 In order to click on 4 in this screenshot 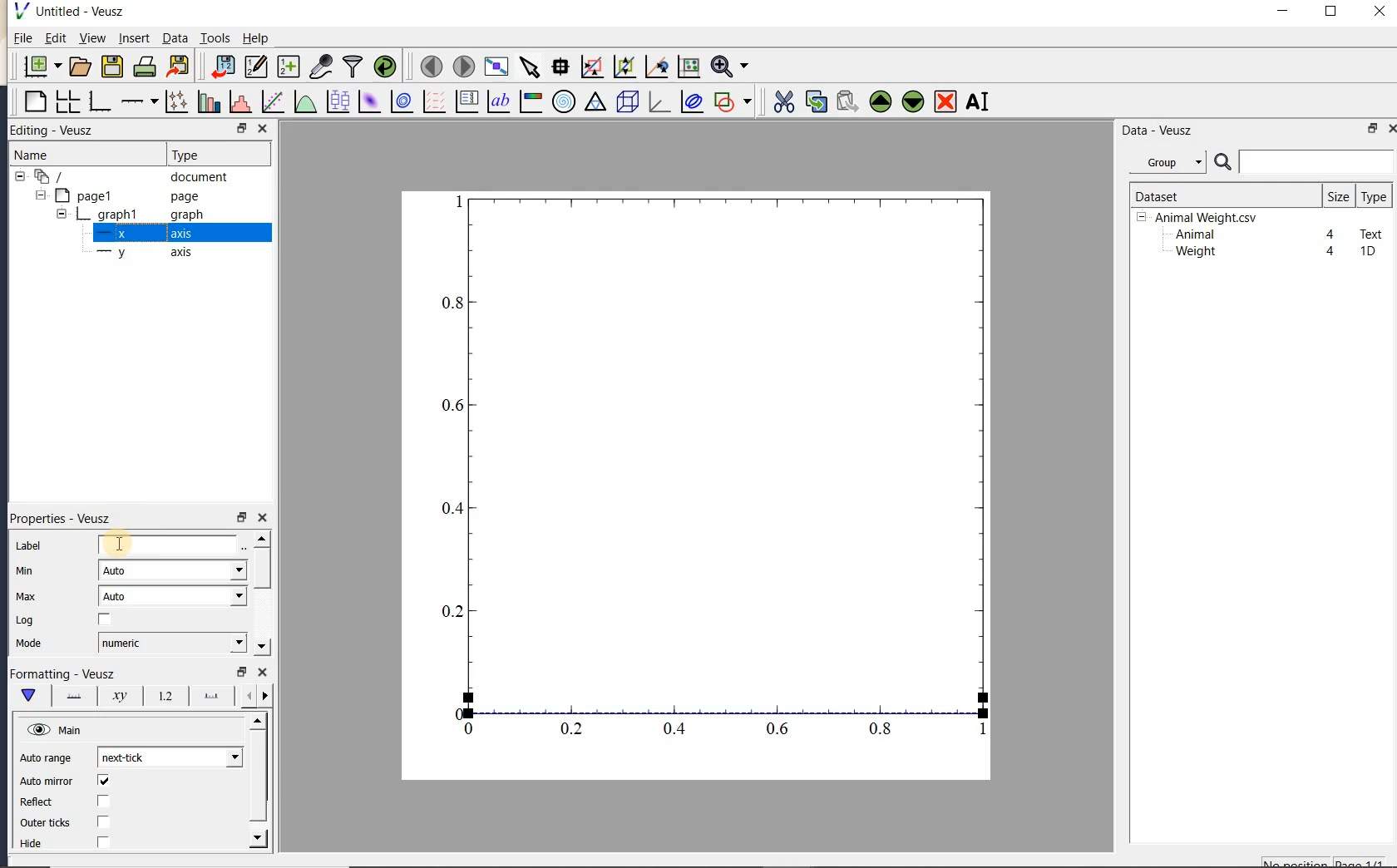, I will do `click(1331, 252)`.